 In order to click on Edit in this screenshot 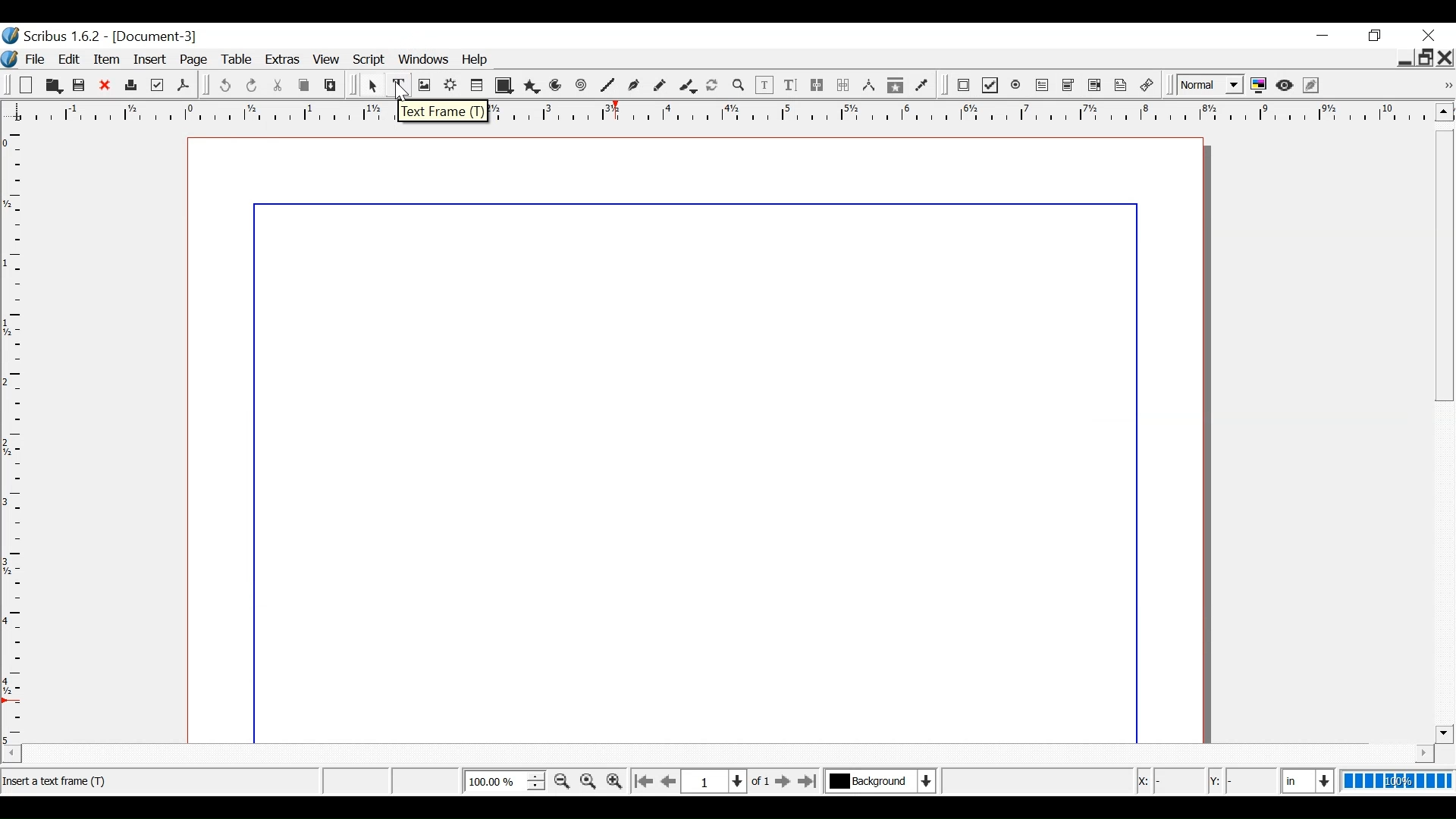, I will do `click(71, 59)`.